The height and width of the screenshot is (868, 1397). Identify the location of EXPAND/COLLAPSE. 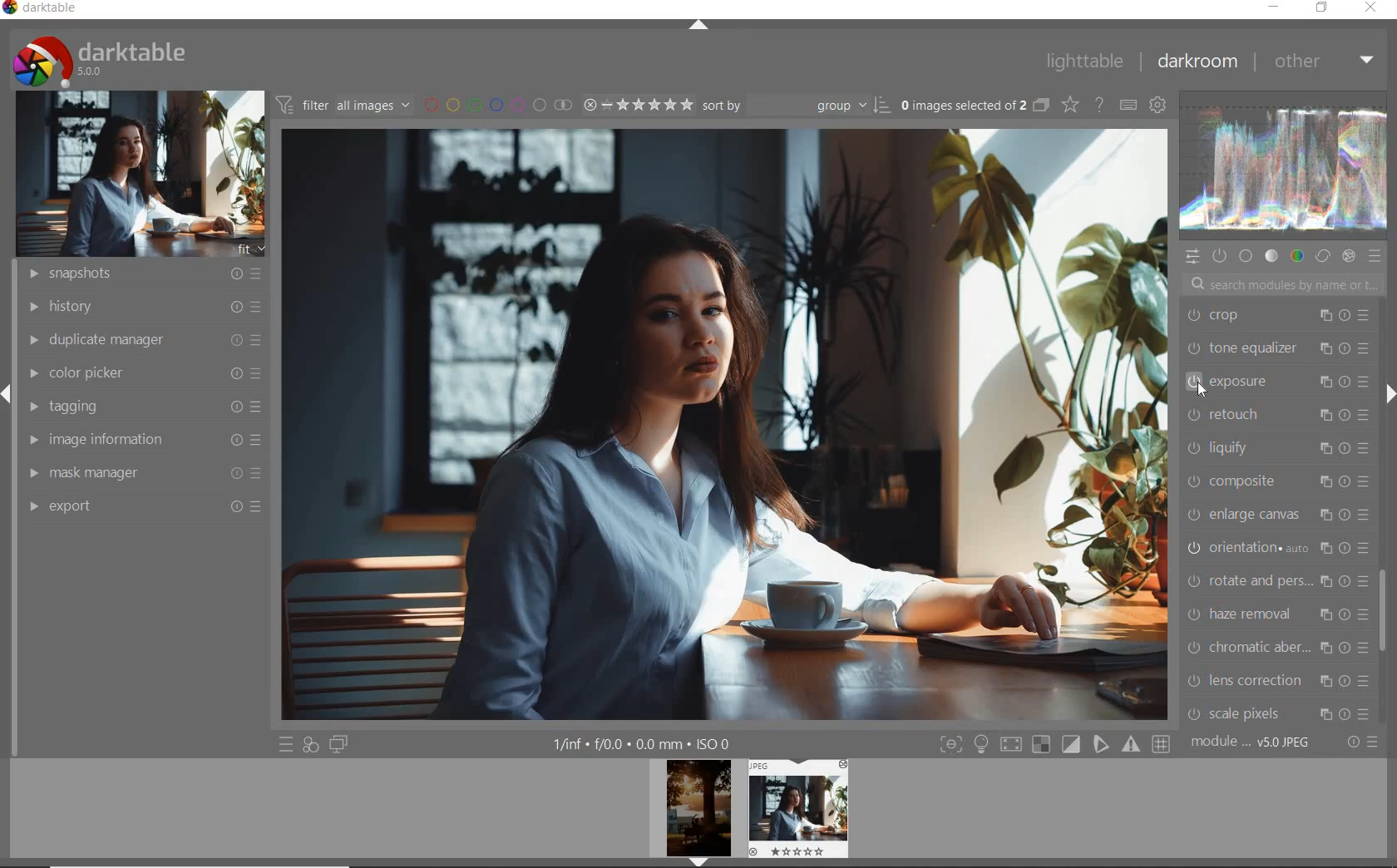
(699, 26).